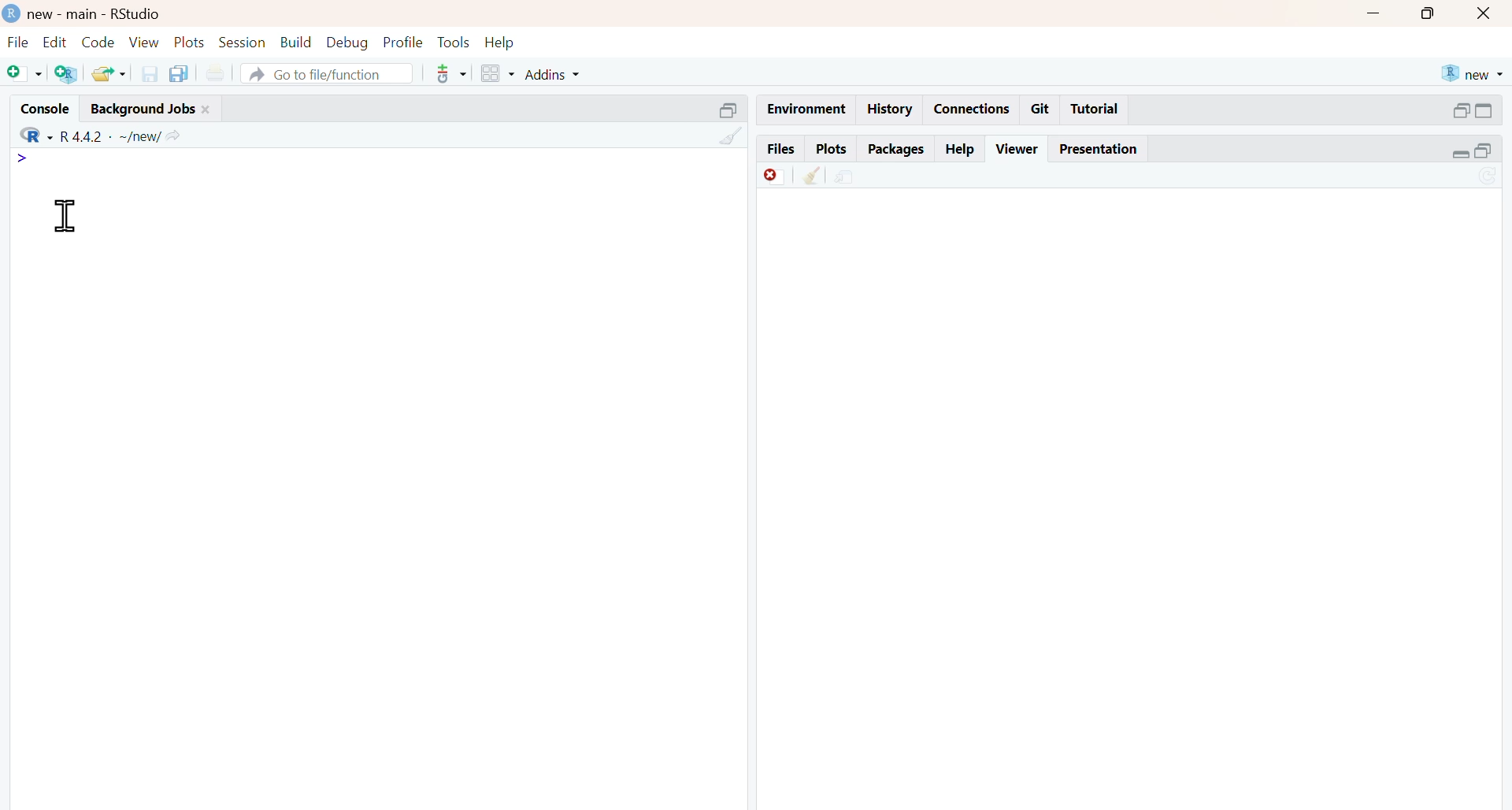 The height and width of the screenshot is (810, 1512). What do you see at coordinates (453, 73) in the screenshot?
I see `tools` at bounding box center [453, 73].